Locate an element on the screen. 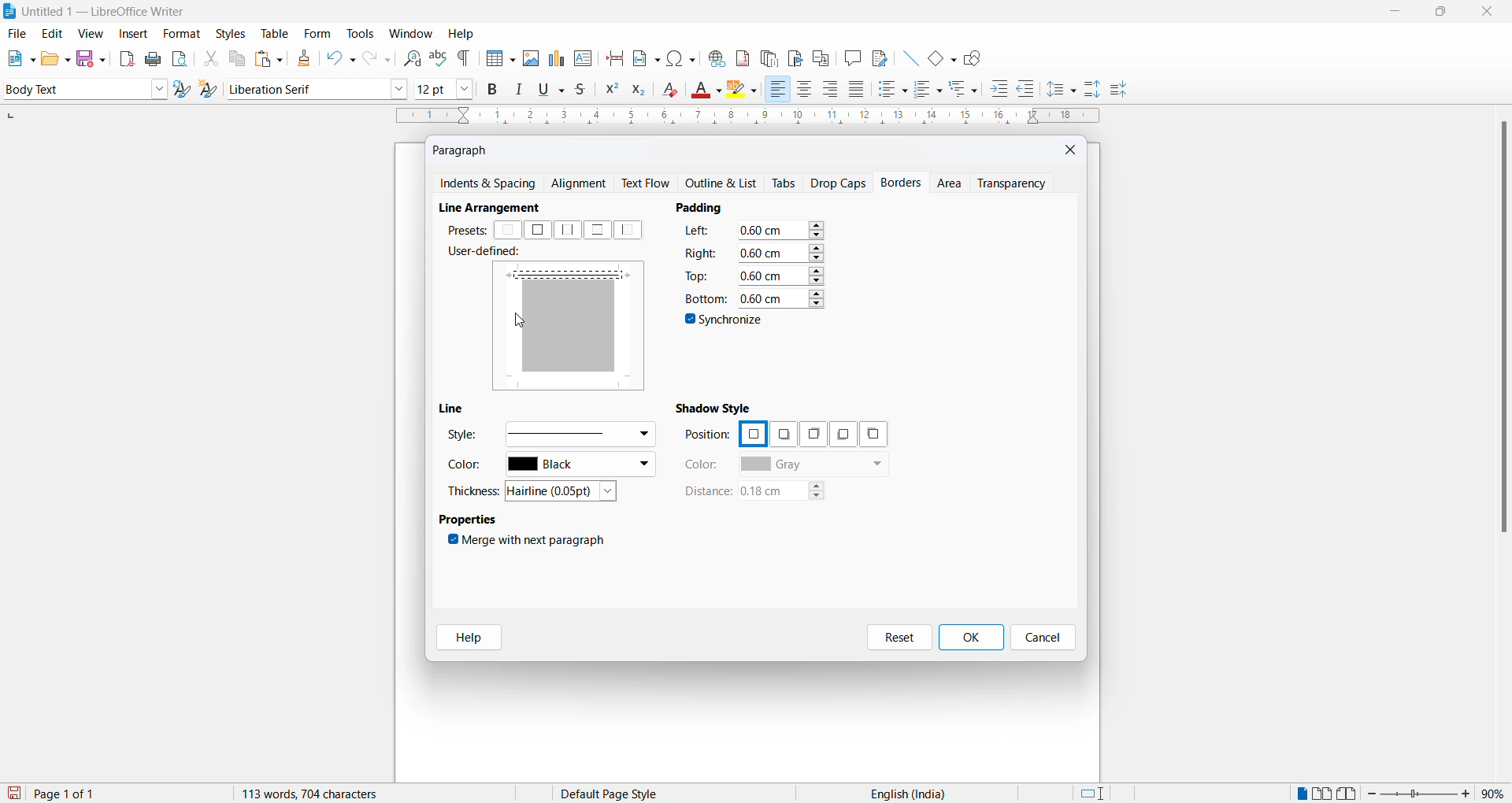 This screenshot has height=803, width=1512. table is located at coordinates (275, 33).